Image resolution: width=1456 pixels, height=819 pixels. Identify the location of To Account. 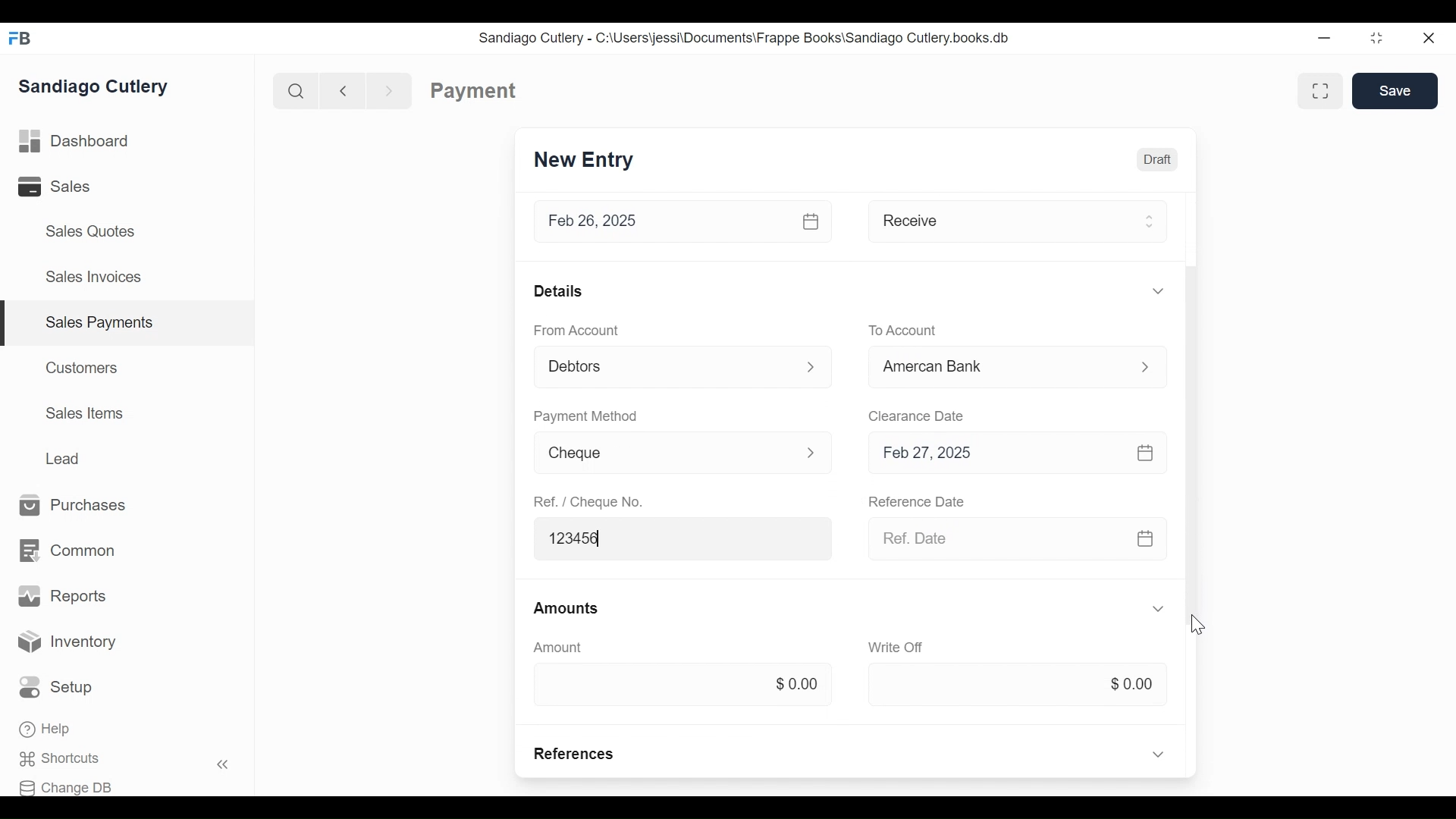
(903, 329).